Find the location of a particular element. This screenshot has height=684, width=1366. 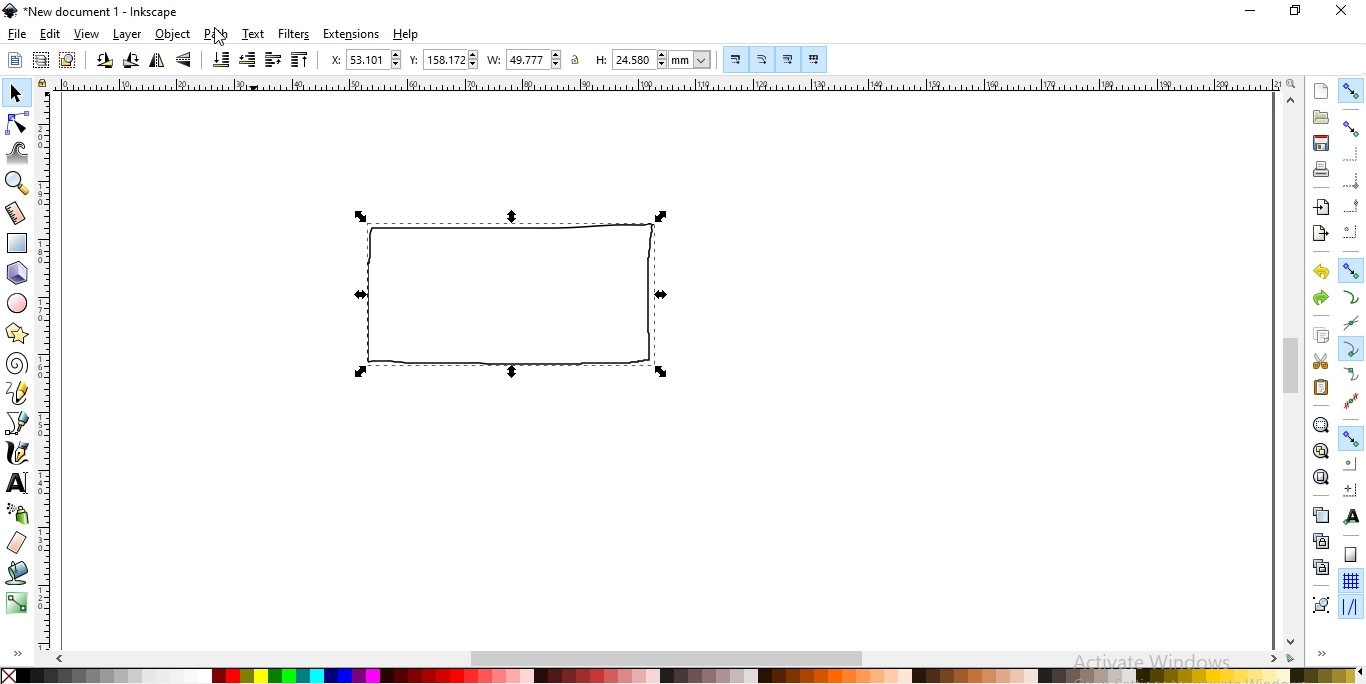

undo is located at coordinates (1320, 272).